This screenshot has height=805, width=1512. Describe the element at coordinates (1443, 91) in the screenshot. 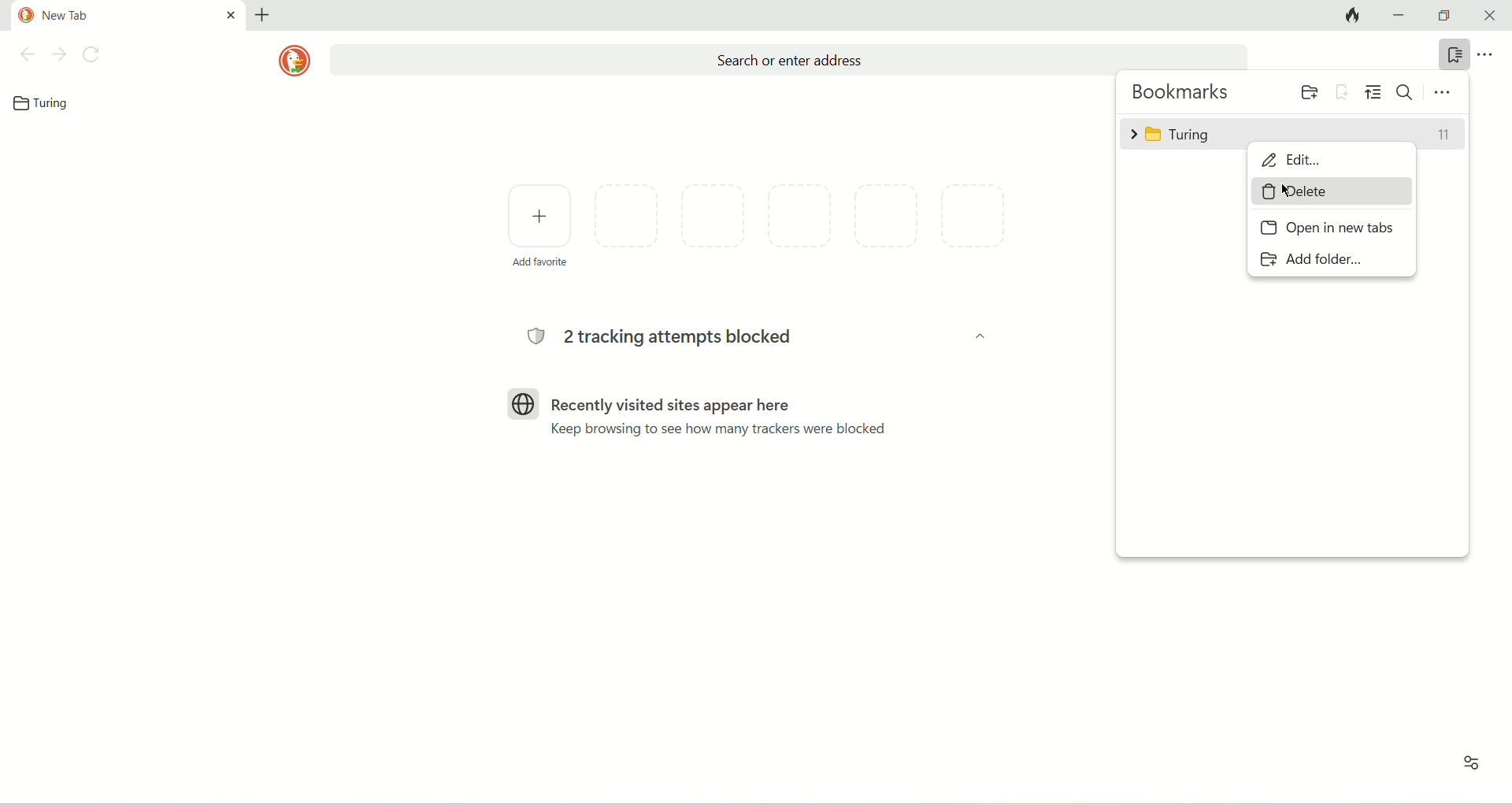

I see `options` at that location.